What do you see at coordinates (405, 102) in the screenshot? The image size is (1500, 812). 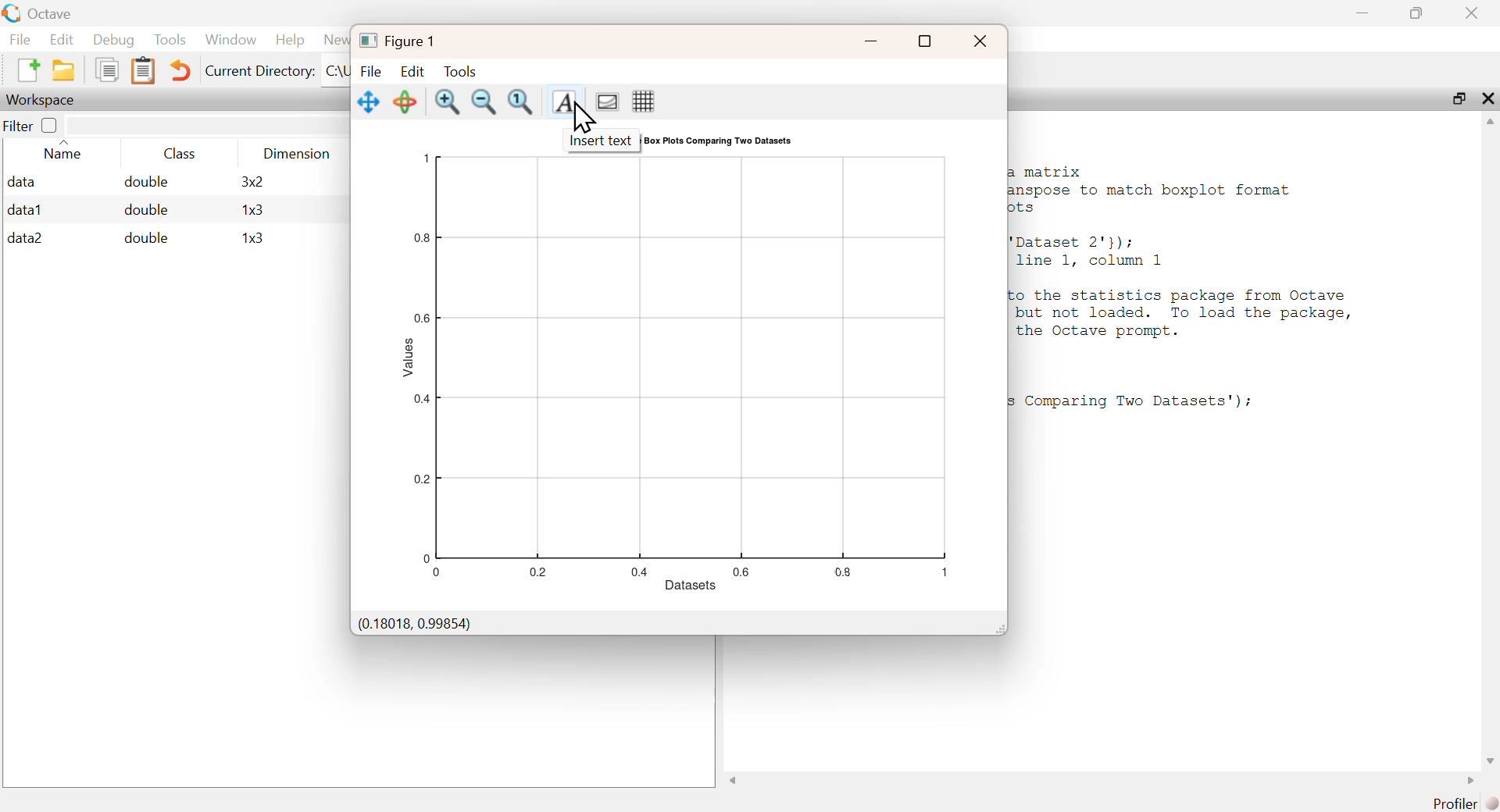 I see `Rotate` at bounding box center [405, 102].